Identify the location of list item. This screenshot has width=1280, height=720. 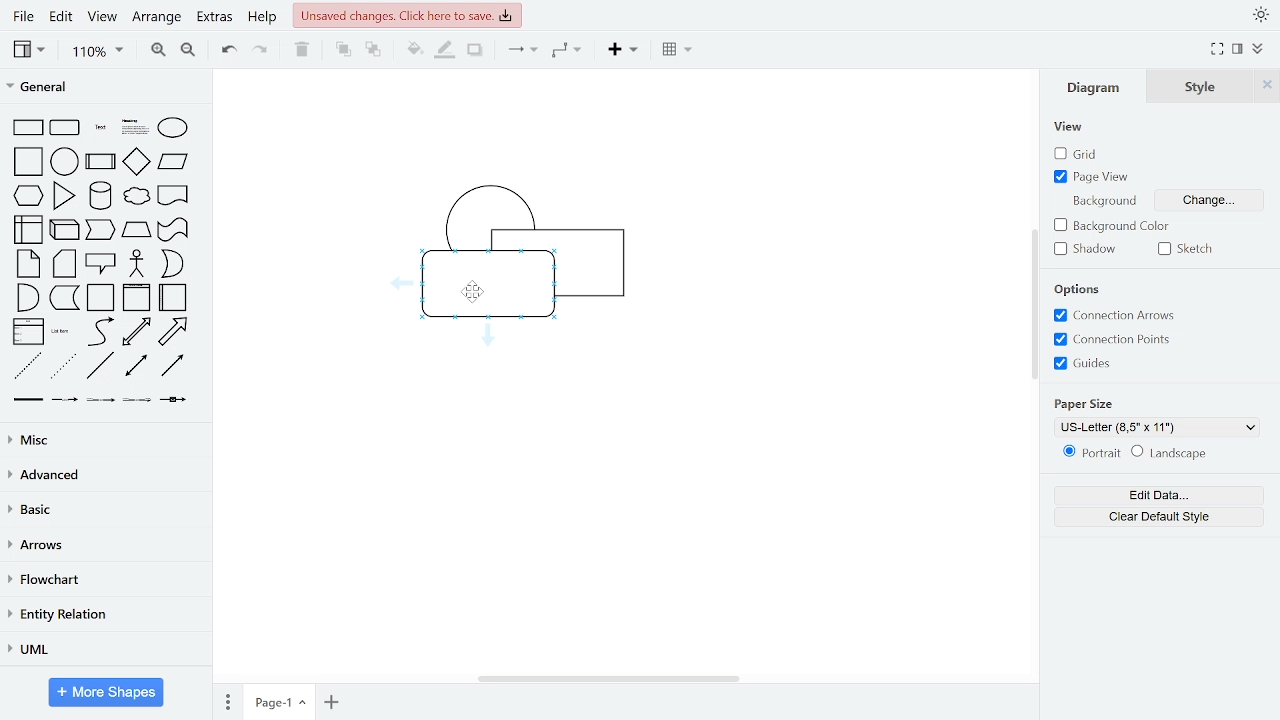
(60, 332).